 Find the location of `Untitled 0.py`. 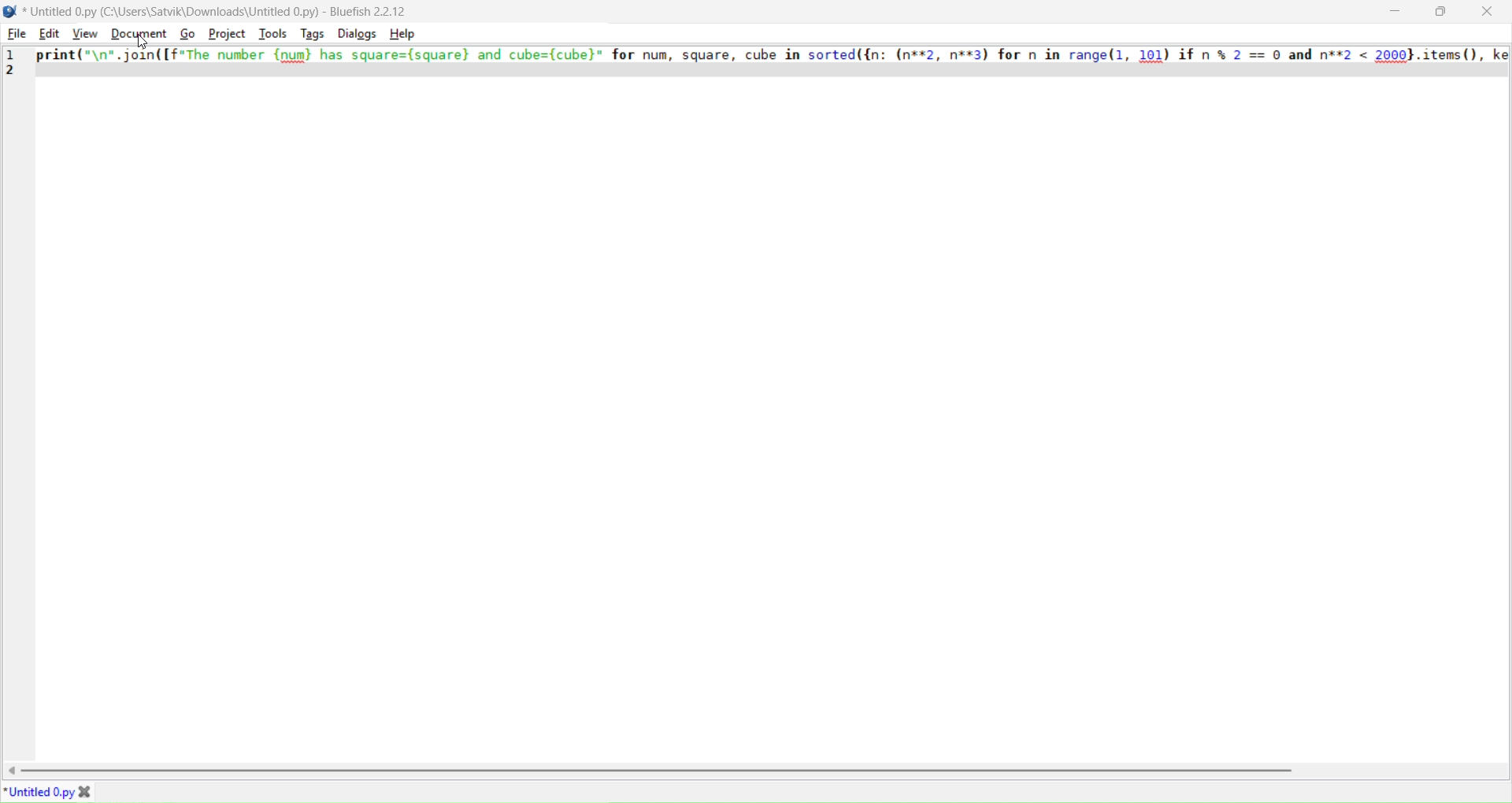

Untitled 0.py is located at coordinates (39, 793).